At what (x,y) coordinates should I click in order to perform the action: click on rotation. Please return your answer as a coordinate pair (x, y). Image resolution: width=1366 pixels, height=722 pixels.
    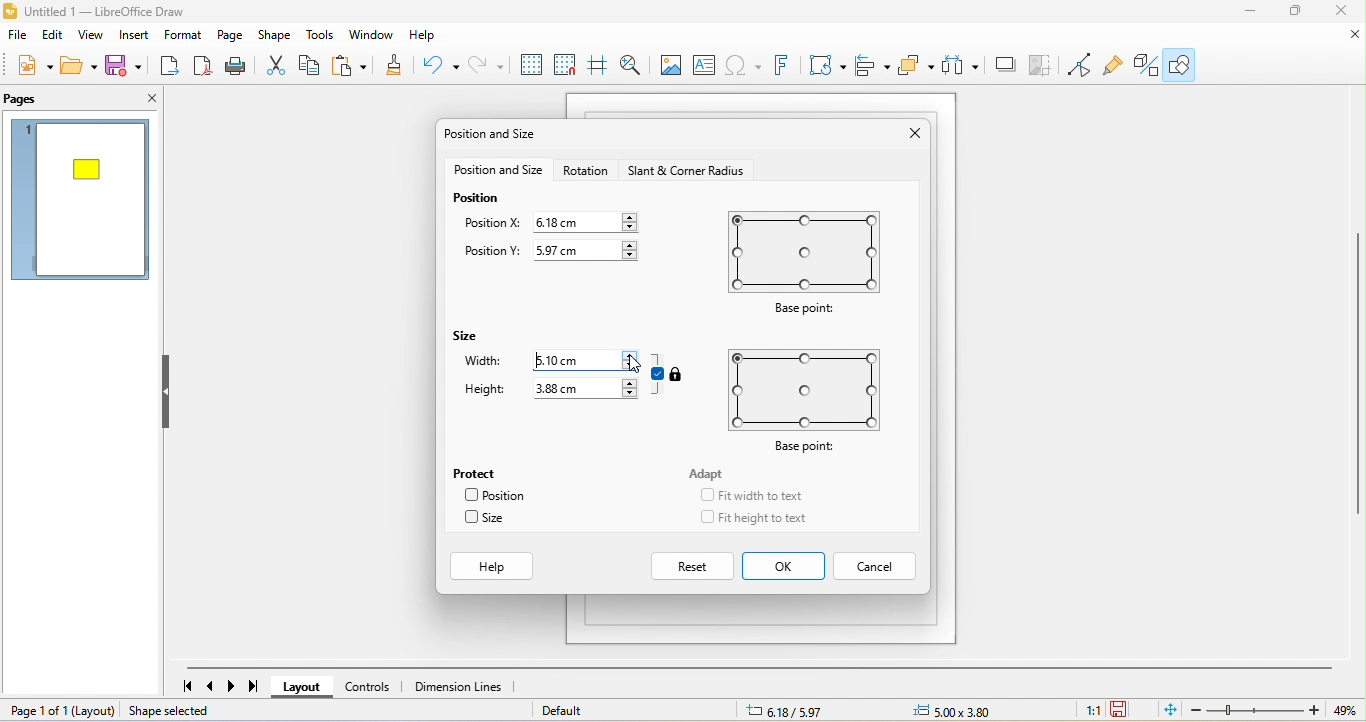
    Looking at the image, I should click on (589, 172).